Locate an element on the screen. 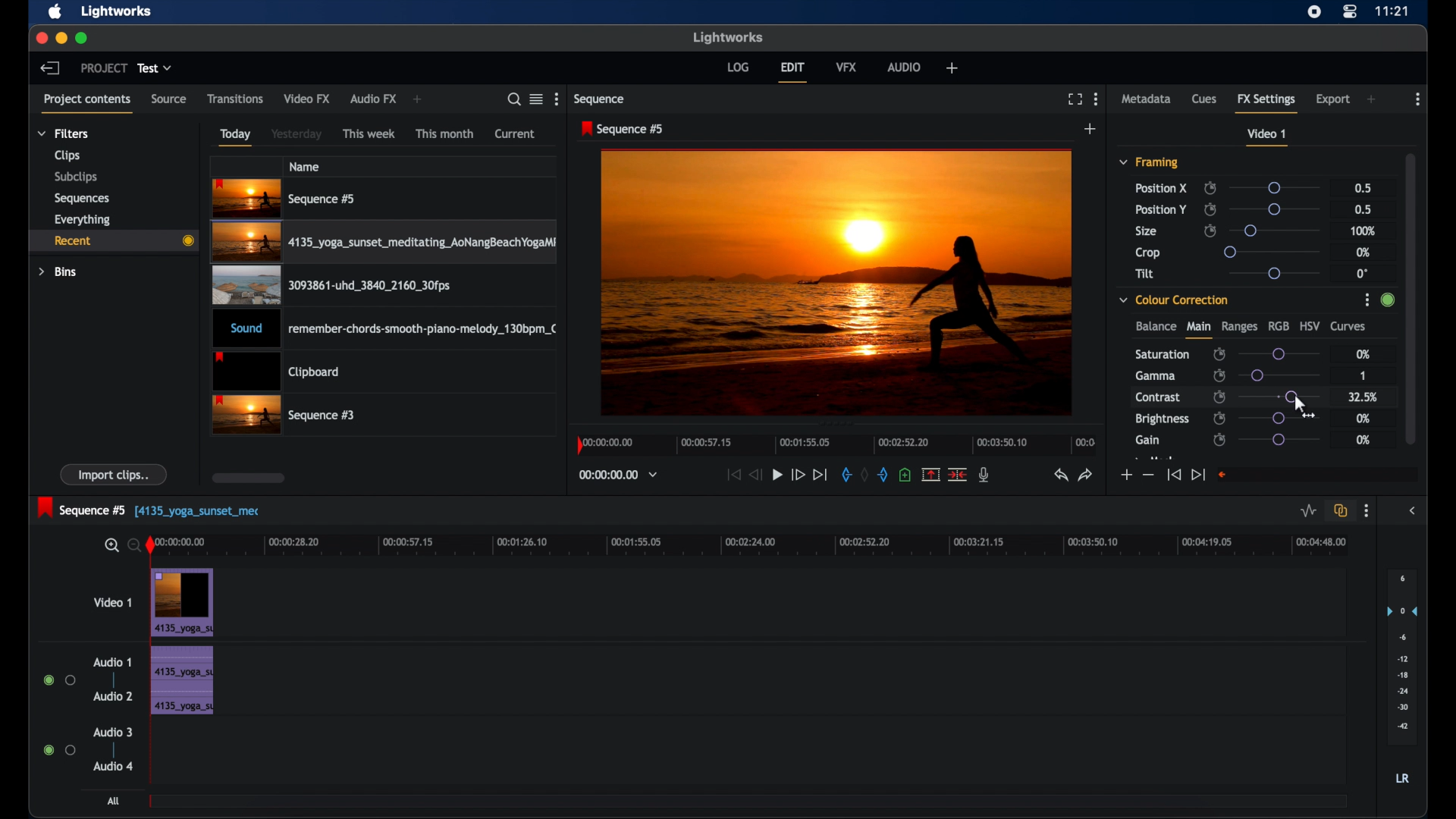  sidebar is located at coordinates (1415, 511).